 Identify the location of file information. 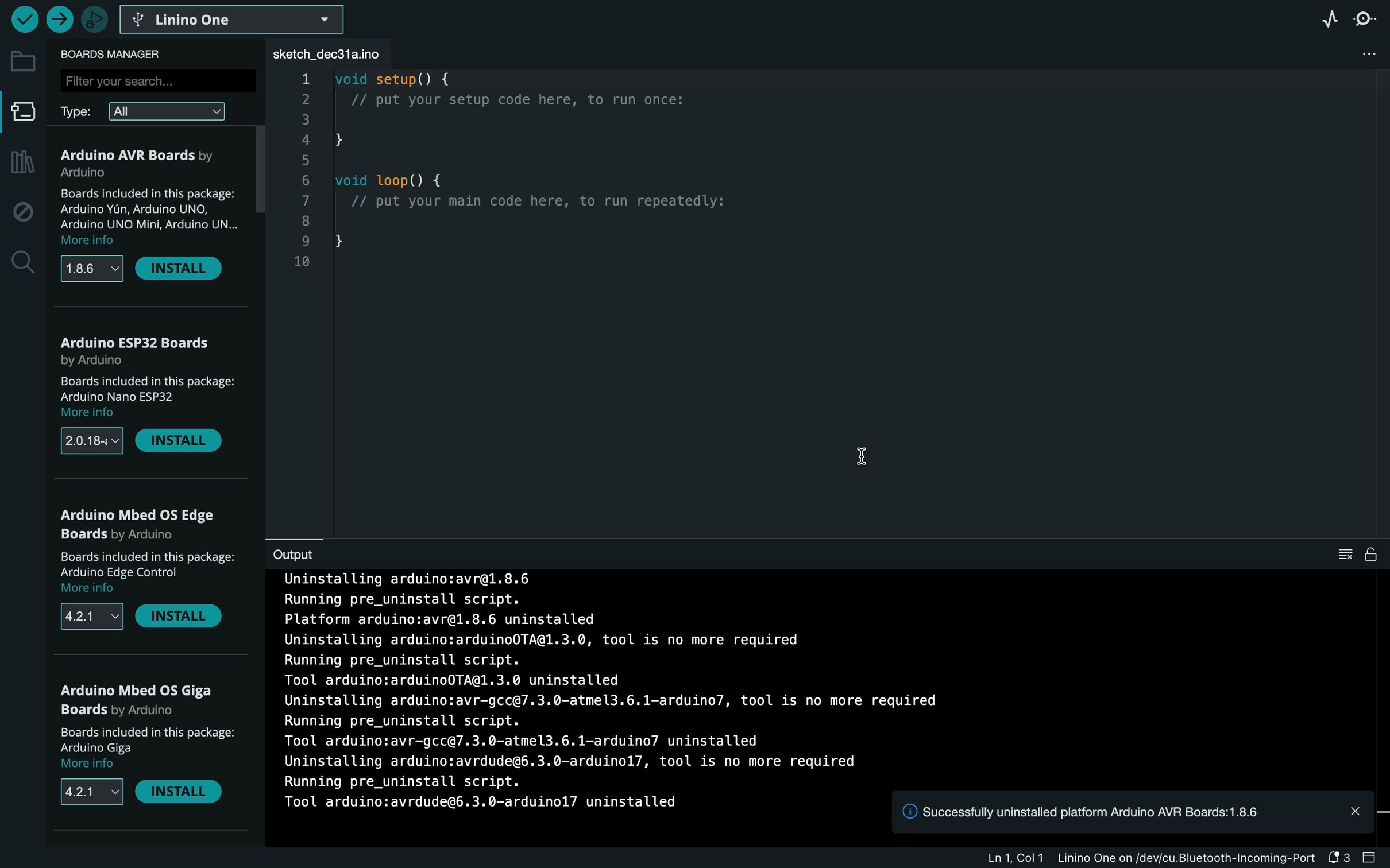
(1142, 859).